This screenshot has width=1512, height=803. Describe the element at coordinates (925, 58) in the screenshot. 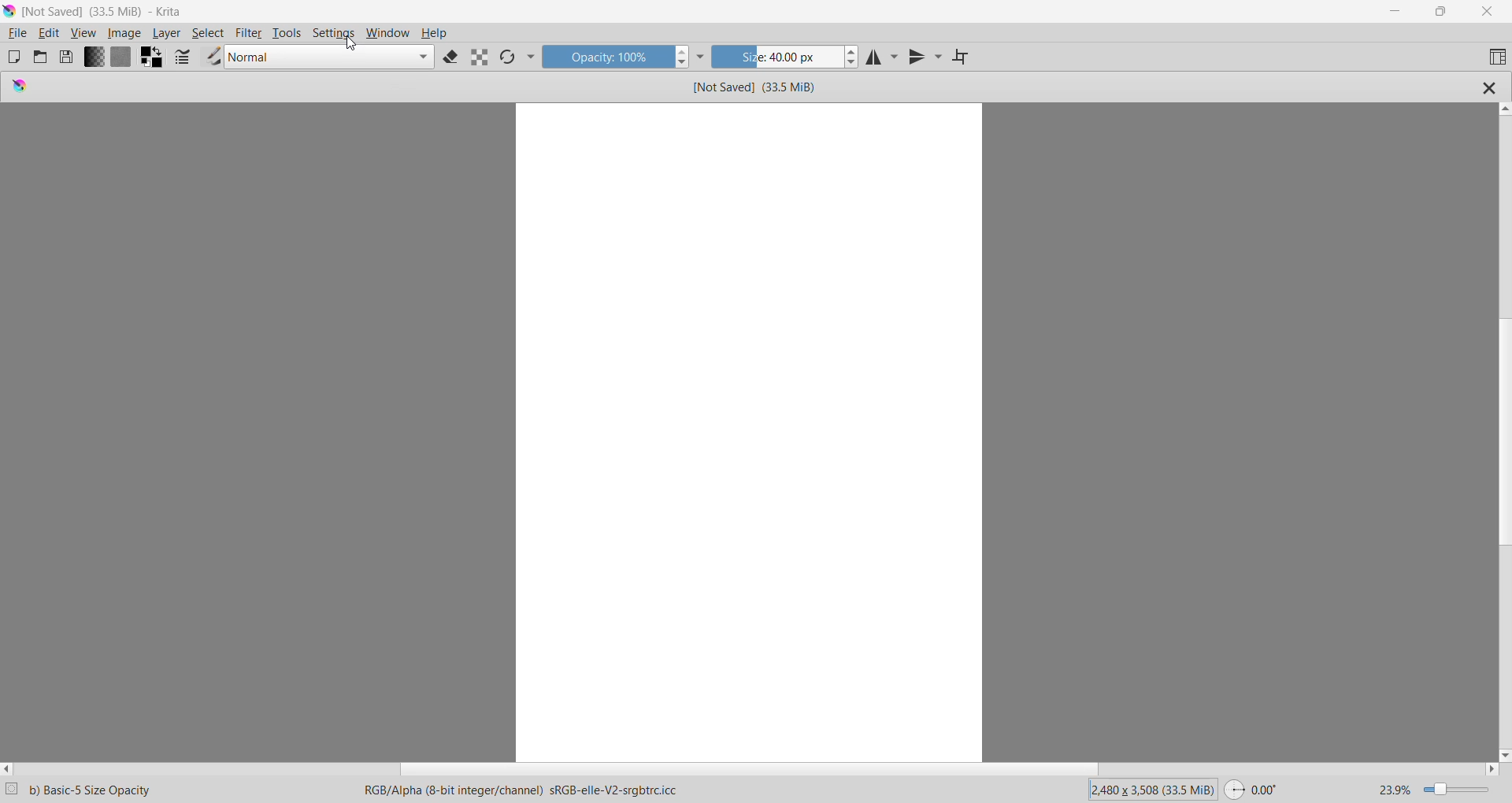

I see `Vertical Mirror Tool` at that location.